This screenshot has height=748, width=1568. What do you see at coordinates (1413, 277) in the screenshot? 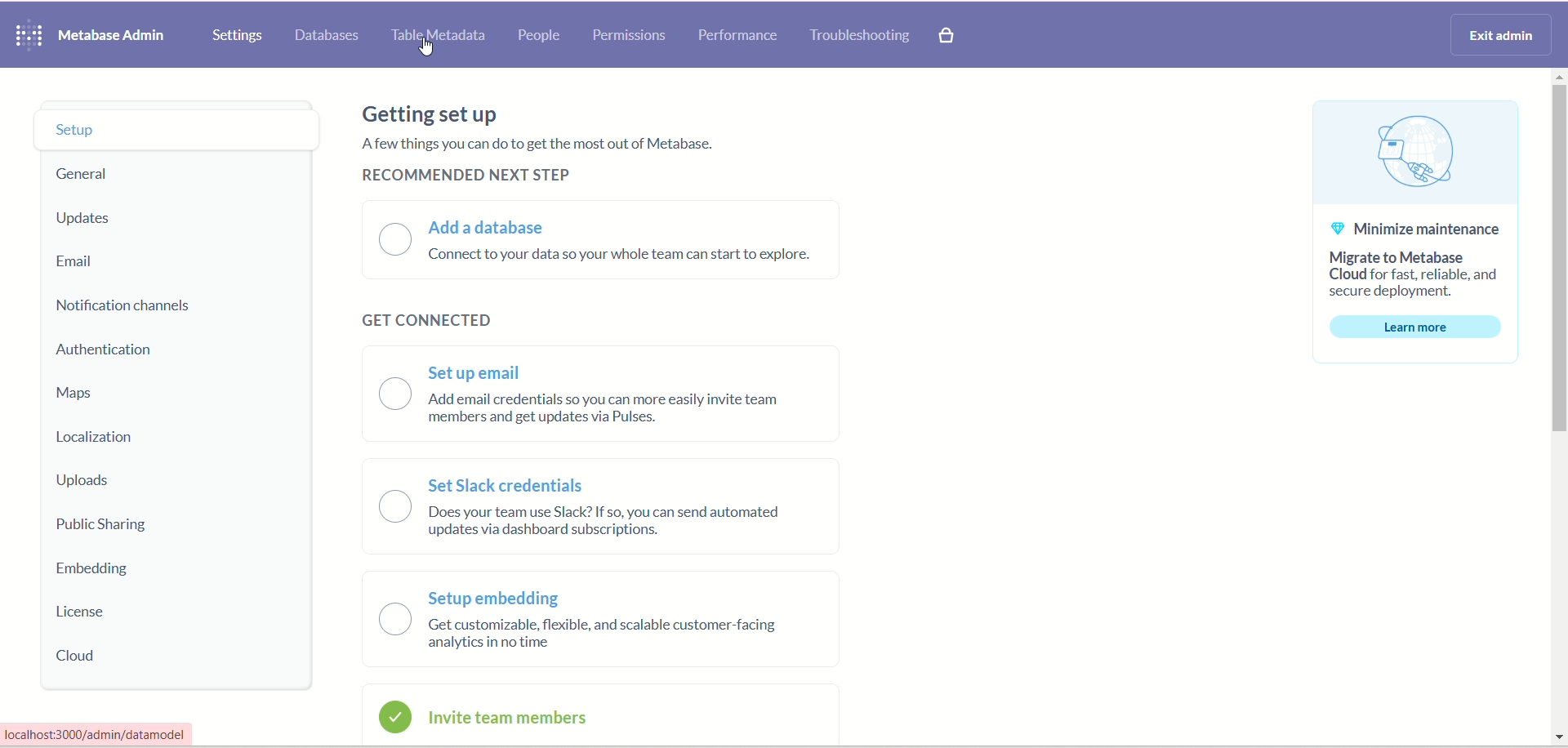
I see `migrate to metabase cloud for fast, reliable and secure deployment ` at bounding box center [1413, 277].